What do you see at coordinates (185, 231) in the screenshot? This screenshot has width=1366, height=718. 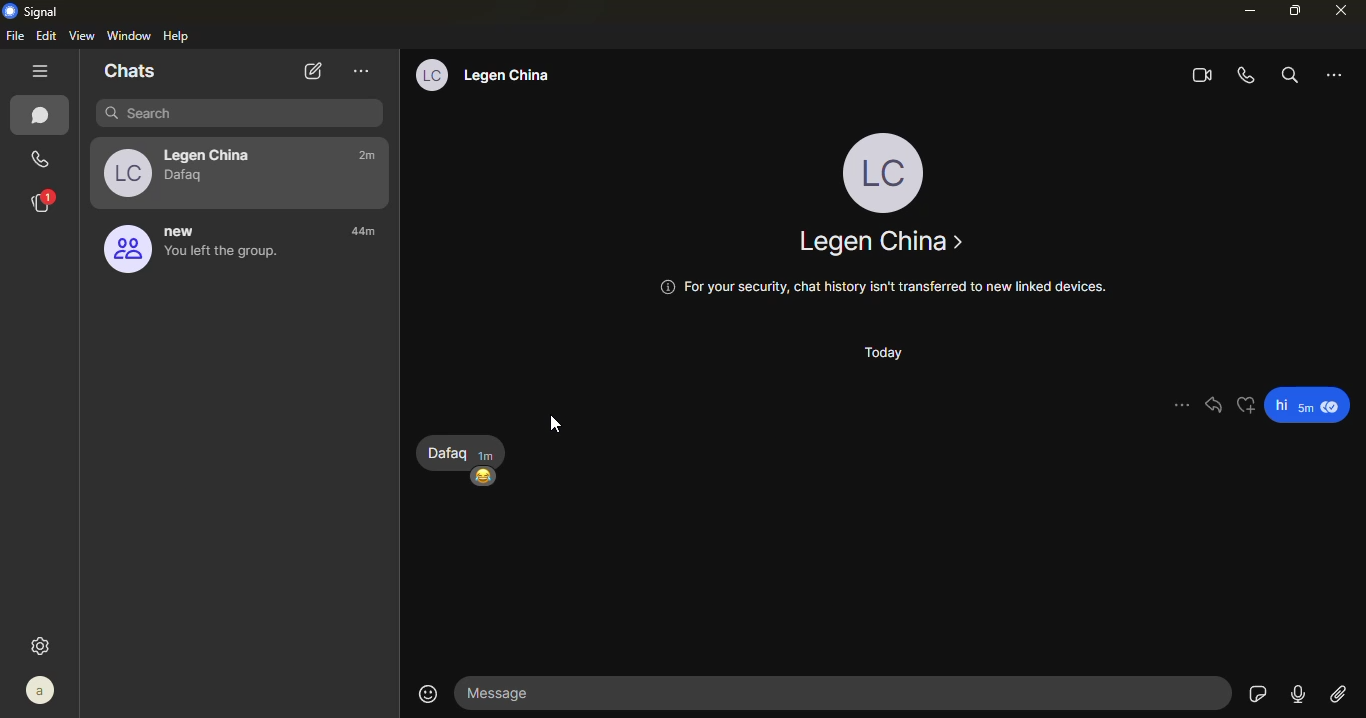 I see `new` at bounding box center [185, 231].